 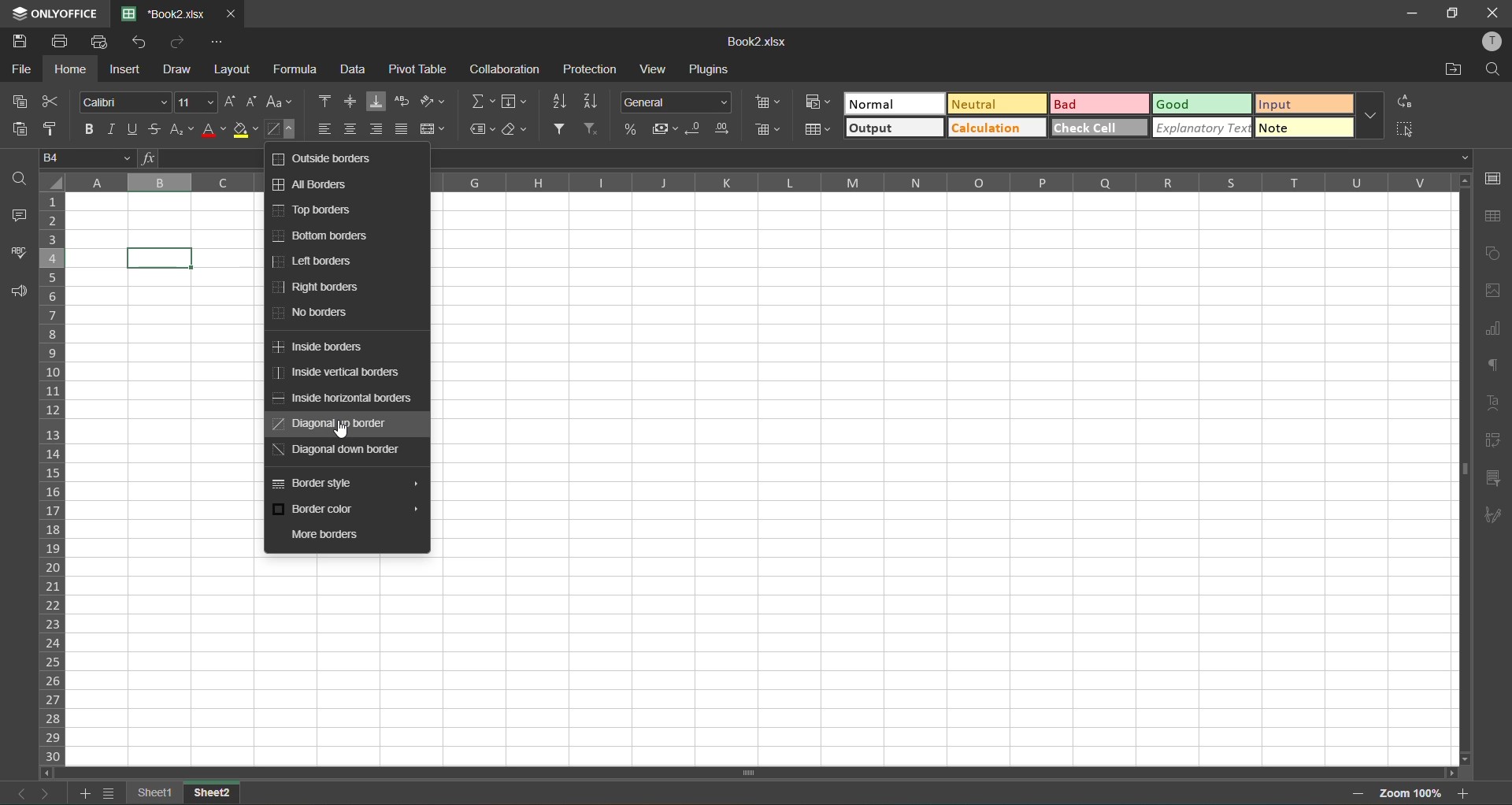 What do you see at coordinates (214, 132) in the screenshot?
I see `font color` at bounding box center [214, 132].